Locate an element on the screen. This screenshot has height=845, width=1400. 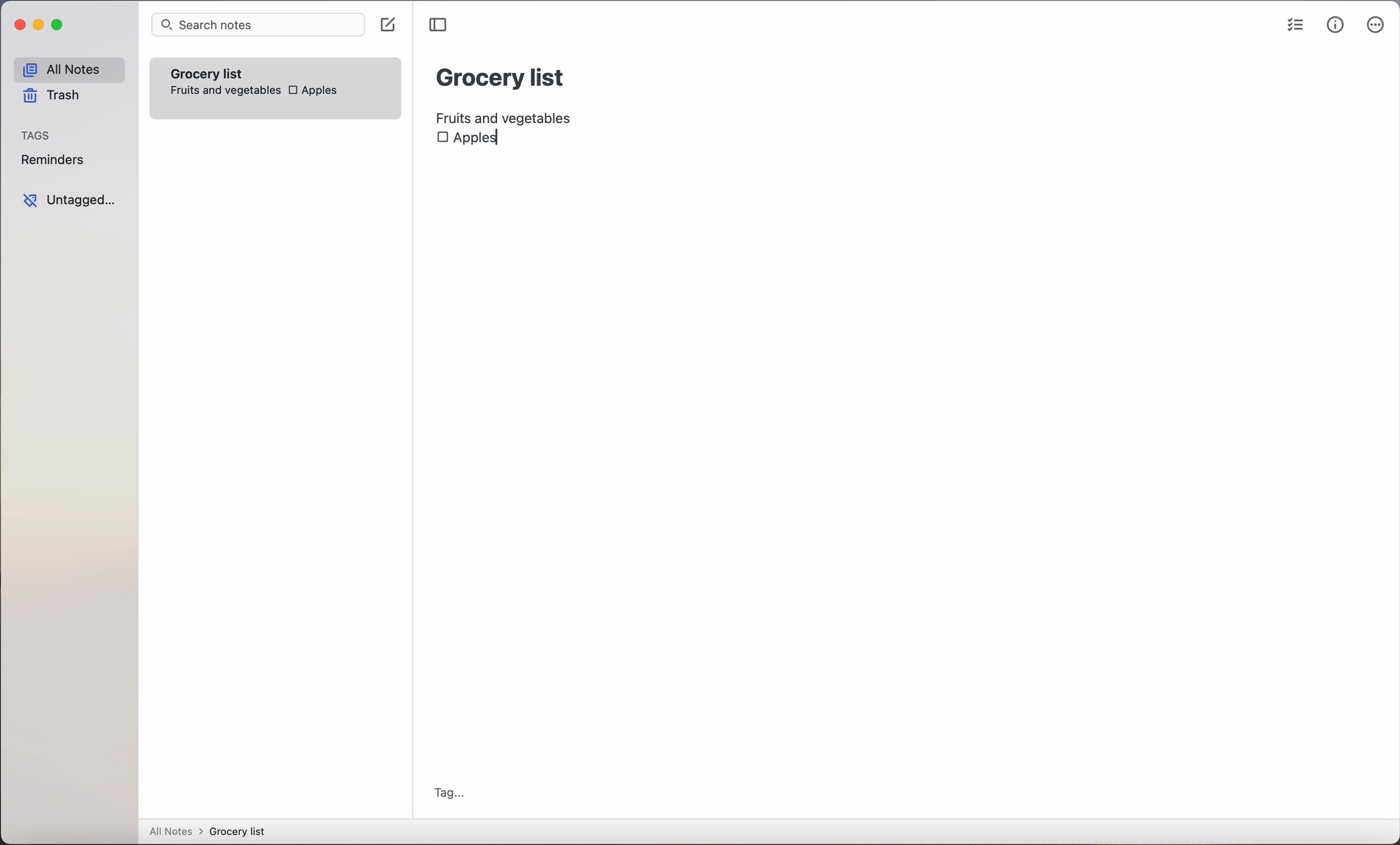
maximize Simplenote is located at coordinates (60, 26).